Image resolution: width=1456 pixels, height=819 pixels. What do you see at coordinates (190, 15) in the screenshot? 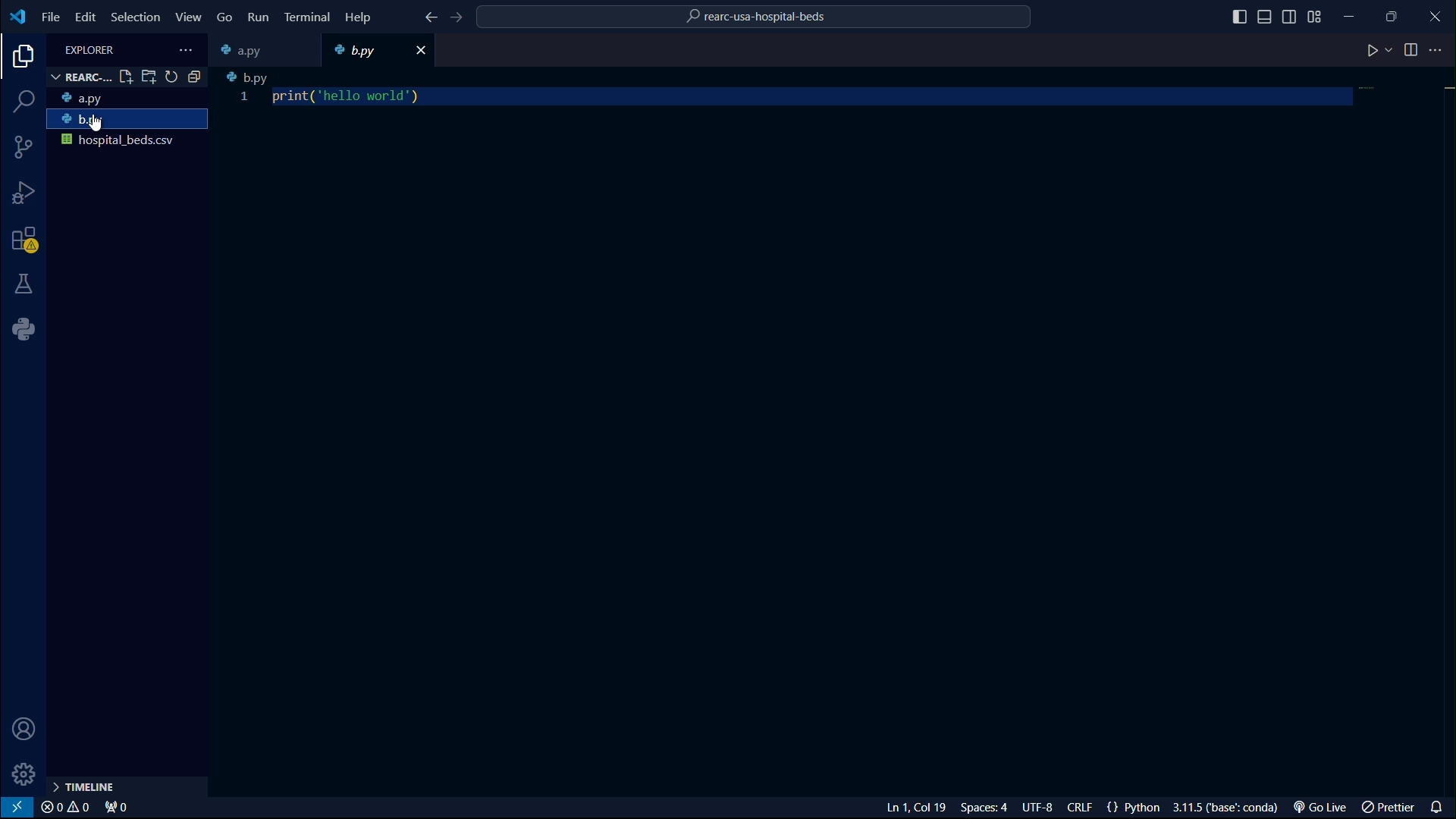
I see `view menu` at bounding box center [190, 15].